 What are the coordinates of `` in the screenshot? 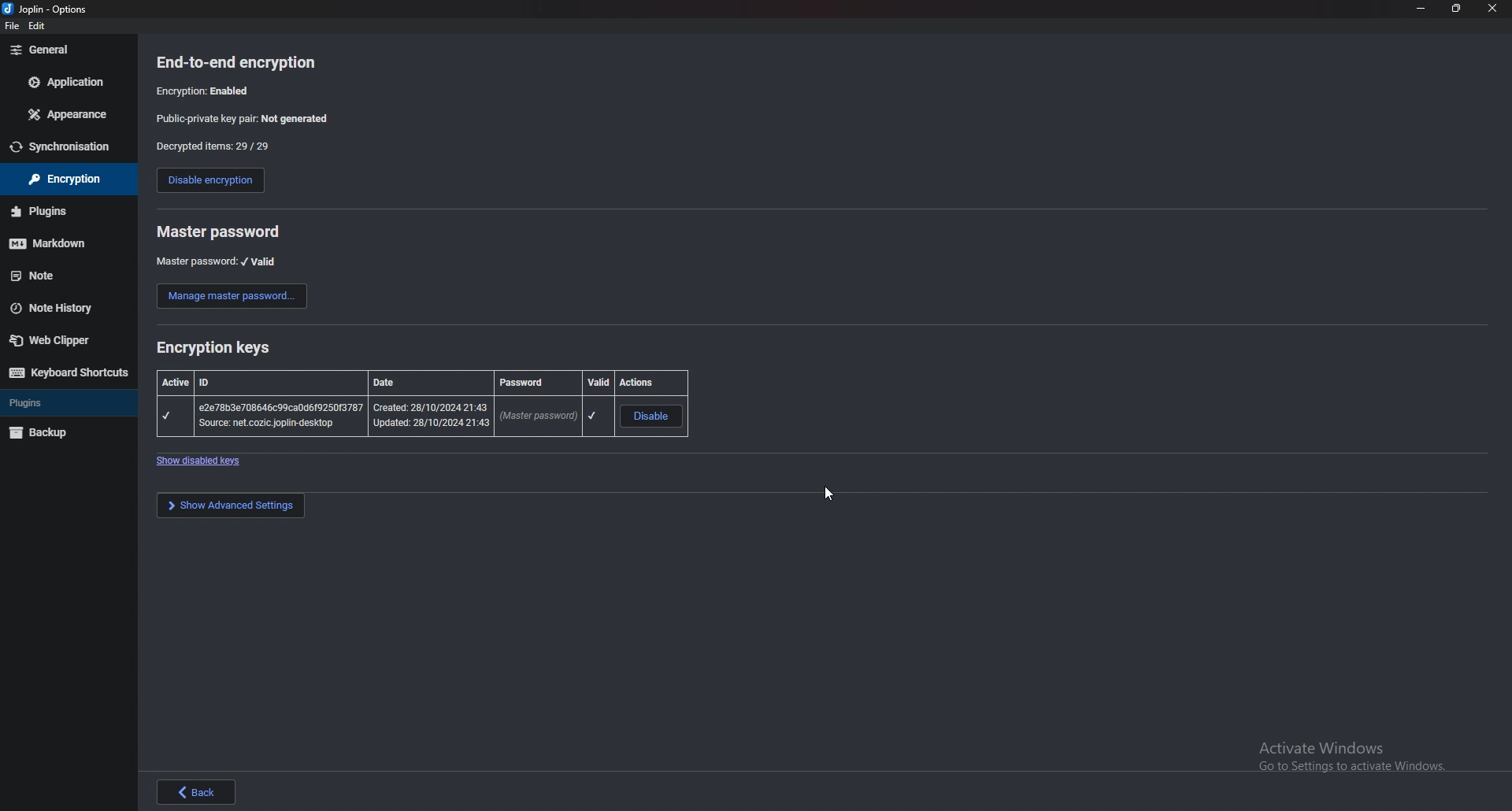 It's located at (1360, 757).